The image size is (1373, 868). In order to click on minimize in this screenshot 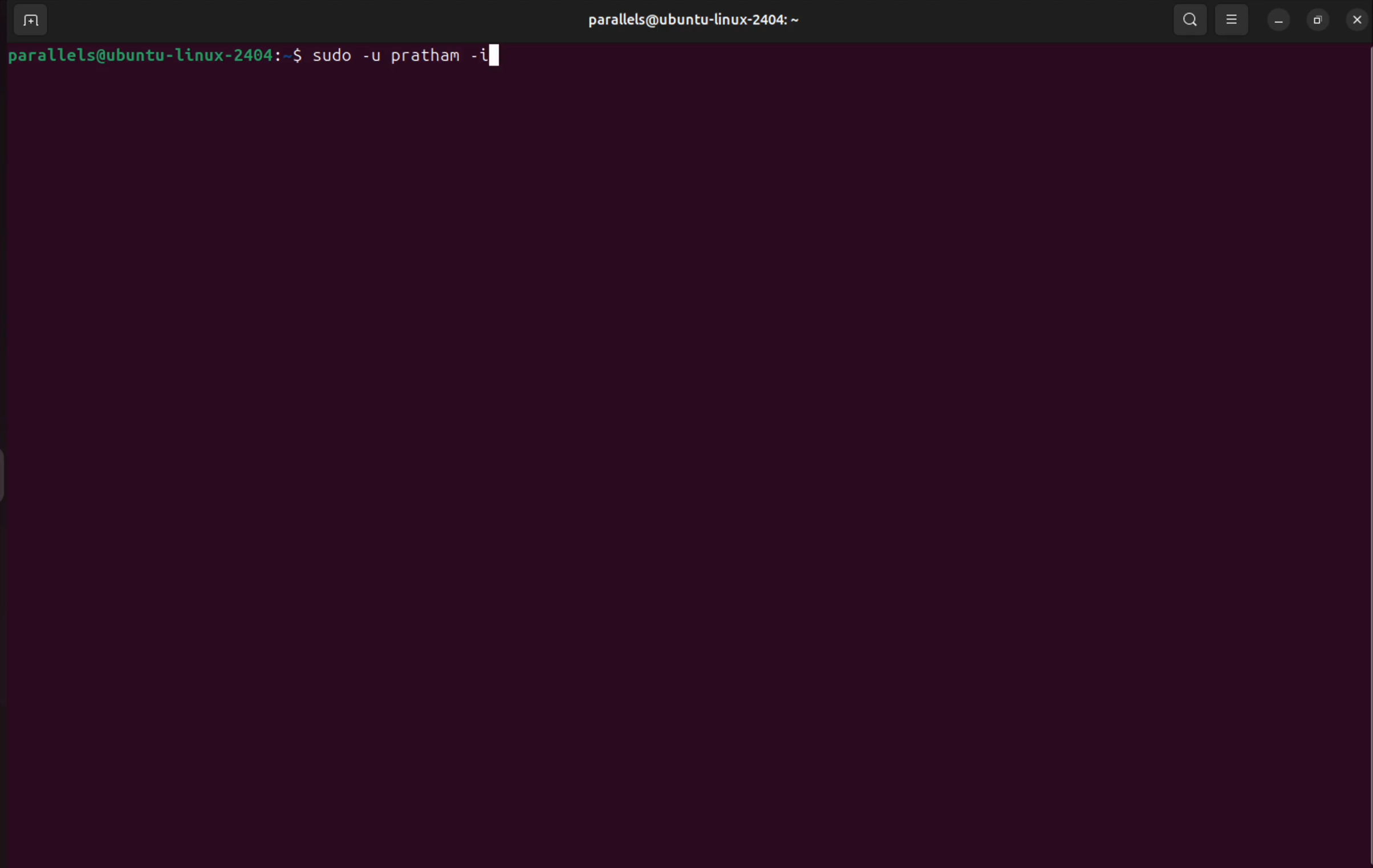, I will do `click(1277, 19)`.